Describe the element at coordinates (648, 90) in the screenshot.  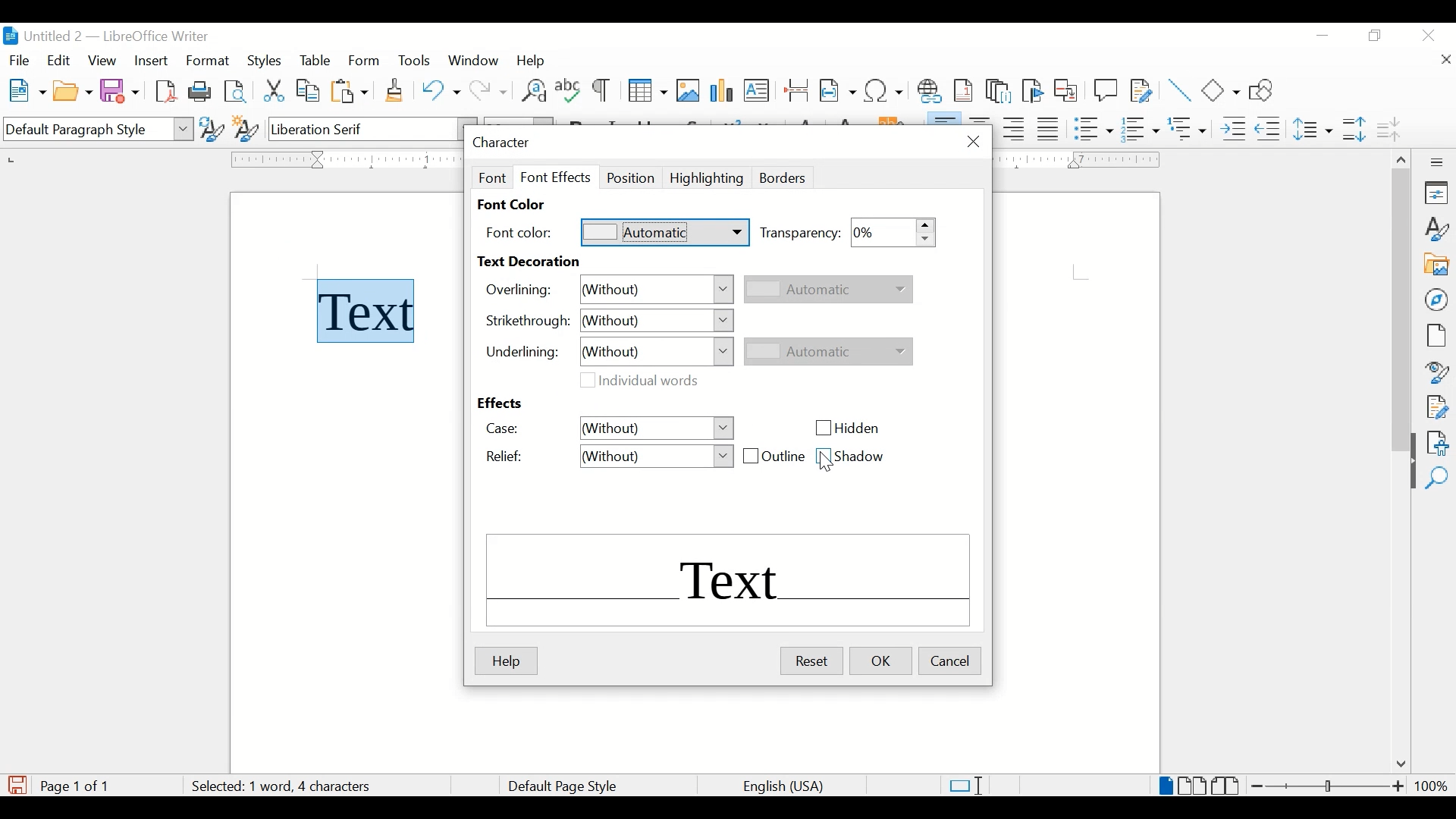
I see `insert table` at that location.